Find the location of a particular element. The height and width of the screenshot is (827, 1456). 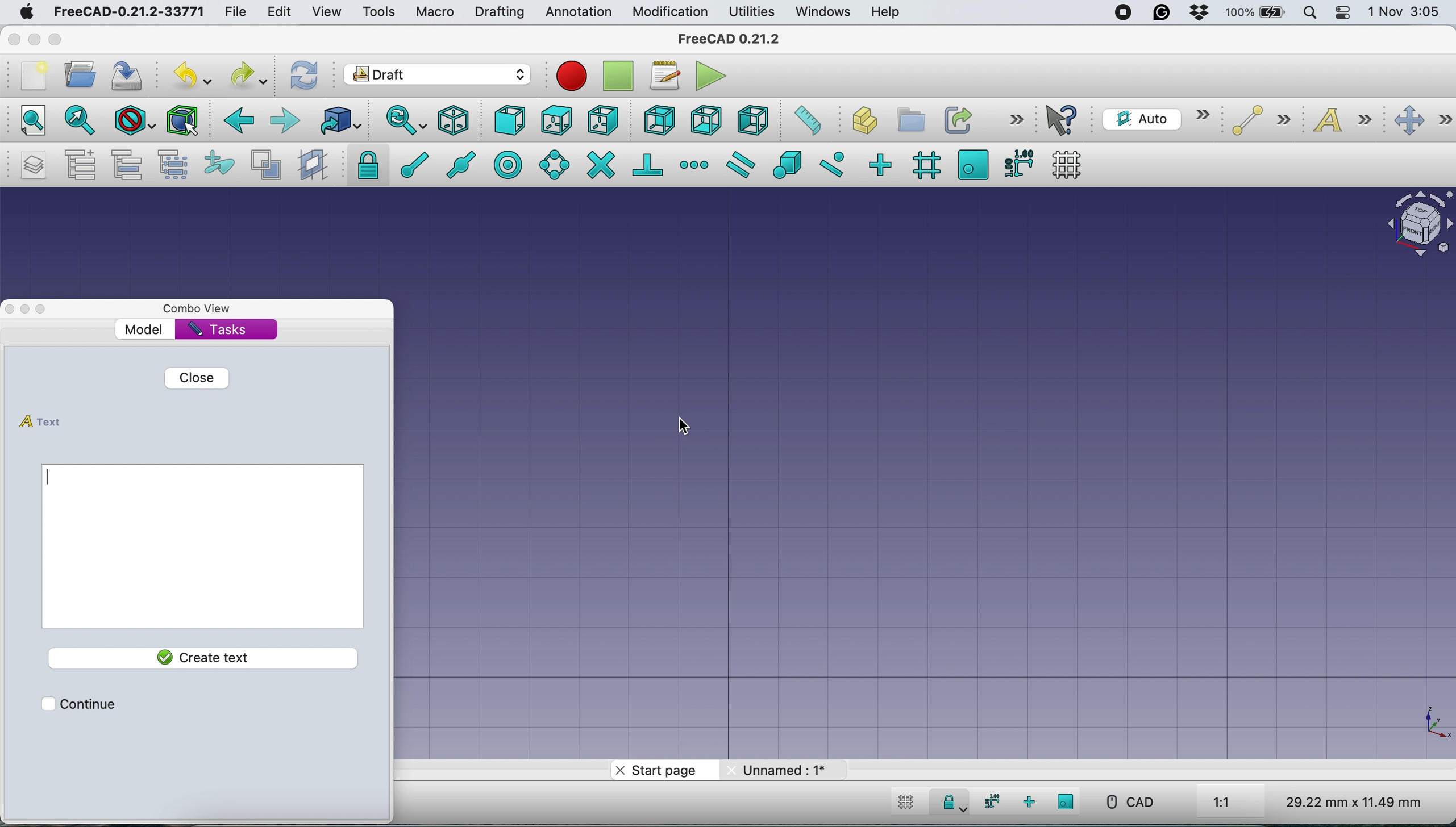

file is located at coordinates (236, 13).